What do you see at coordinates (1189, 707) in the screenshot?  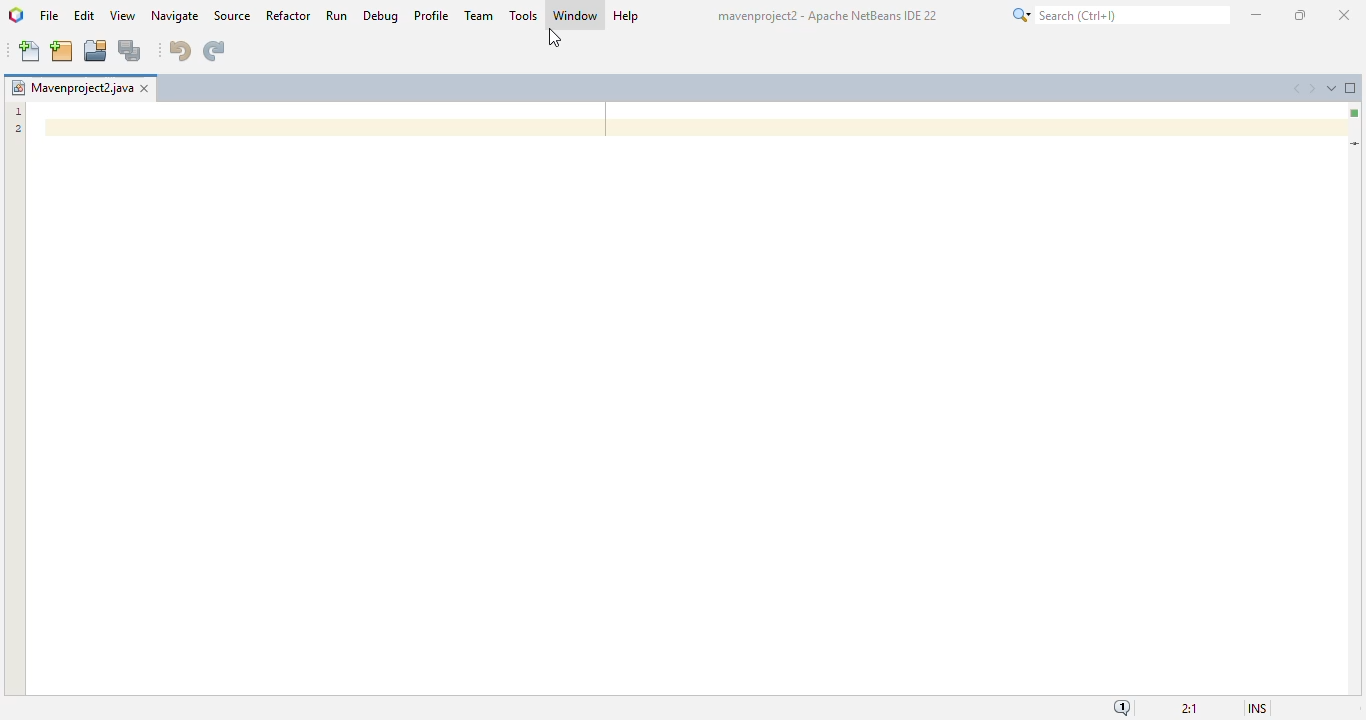 I see `magnification ratio` at bounding box center [1189, 707].